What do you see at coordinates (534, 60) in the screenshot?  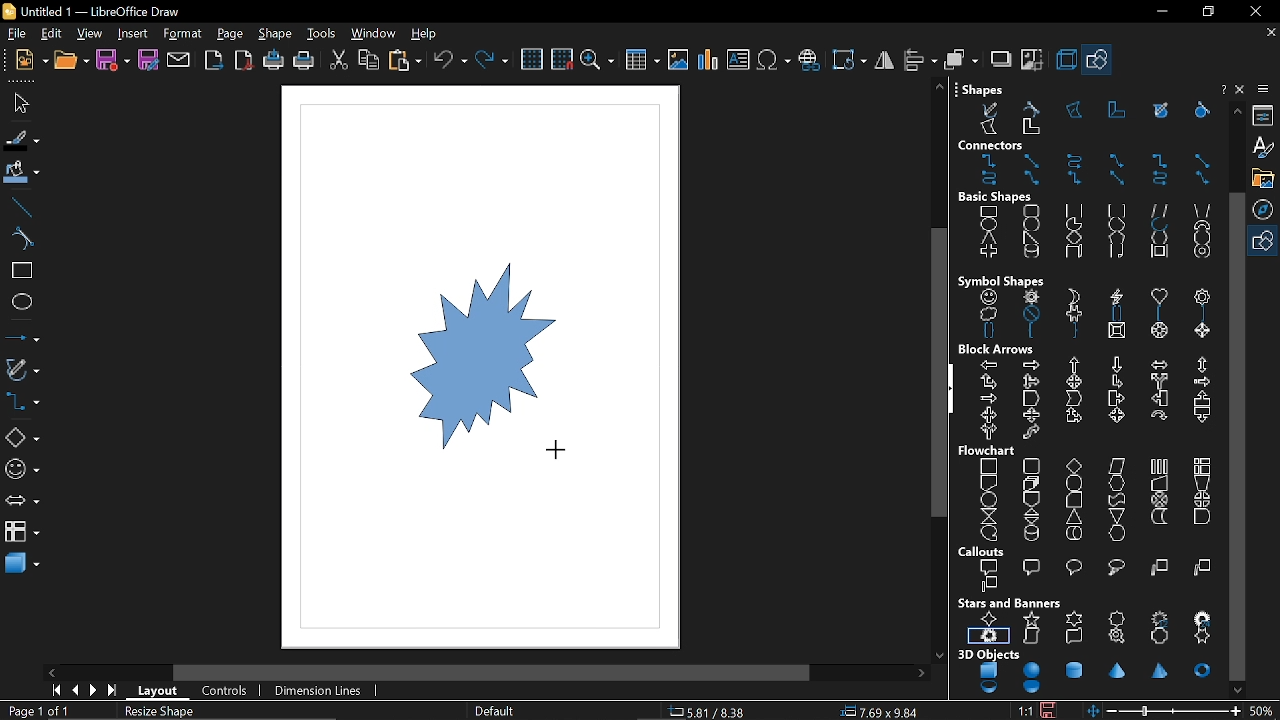 I see `grid` at bounding box center [534, 60].